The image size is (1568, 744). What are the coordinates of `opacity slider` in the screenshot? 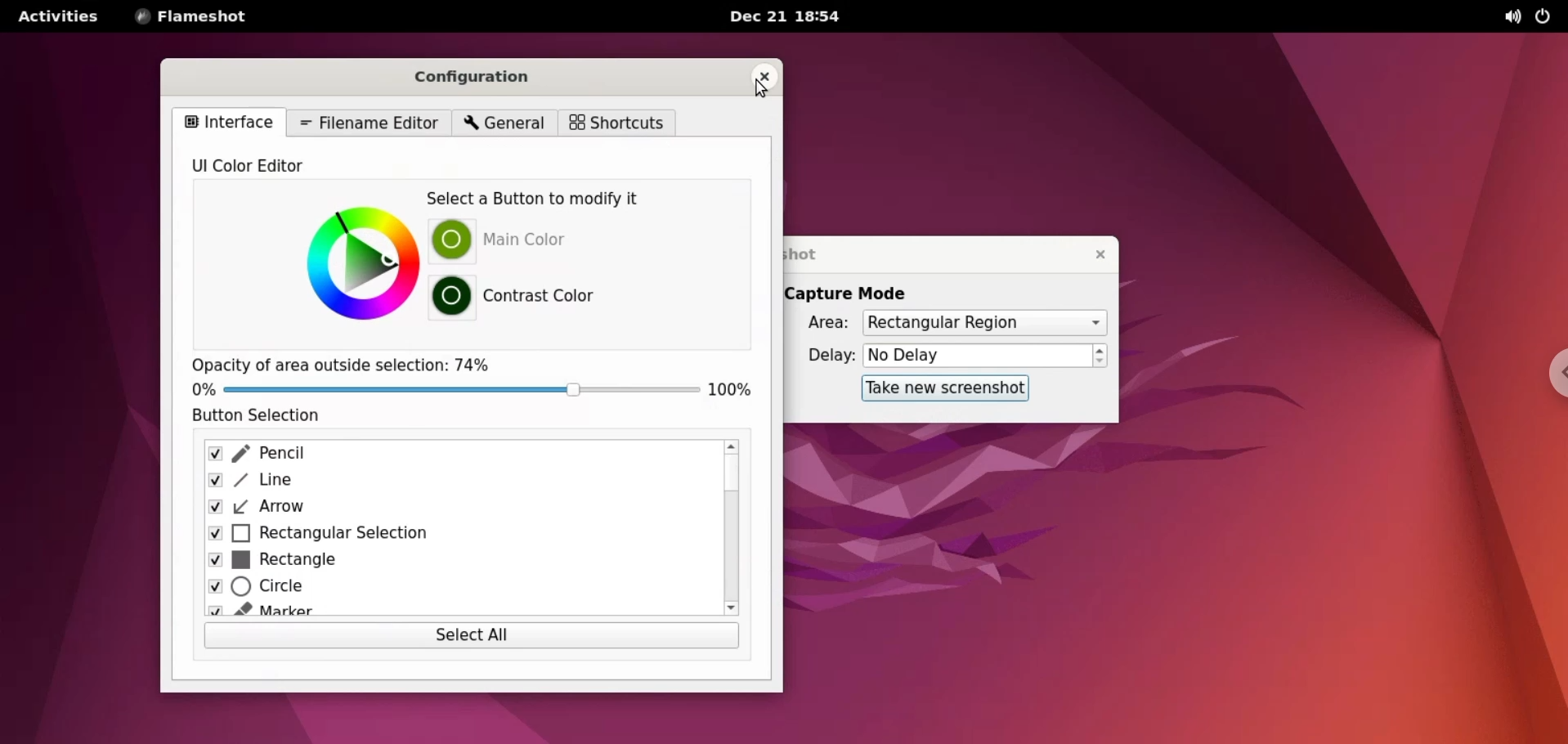 It's located at (458, 392).